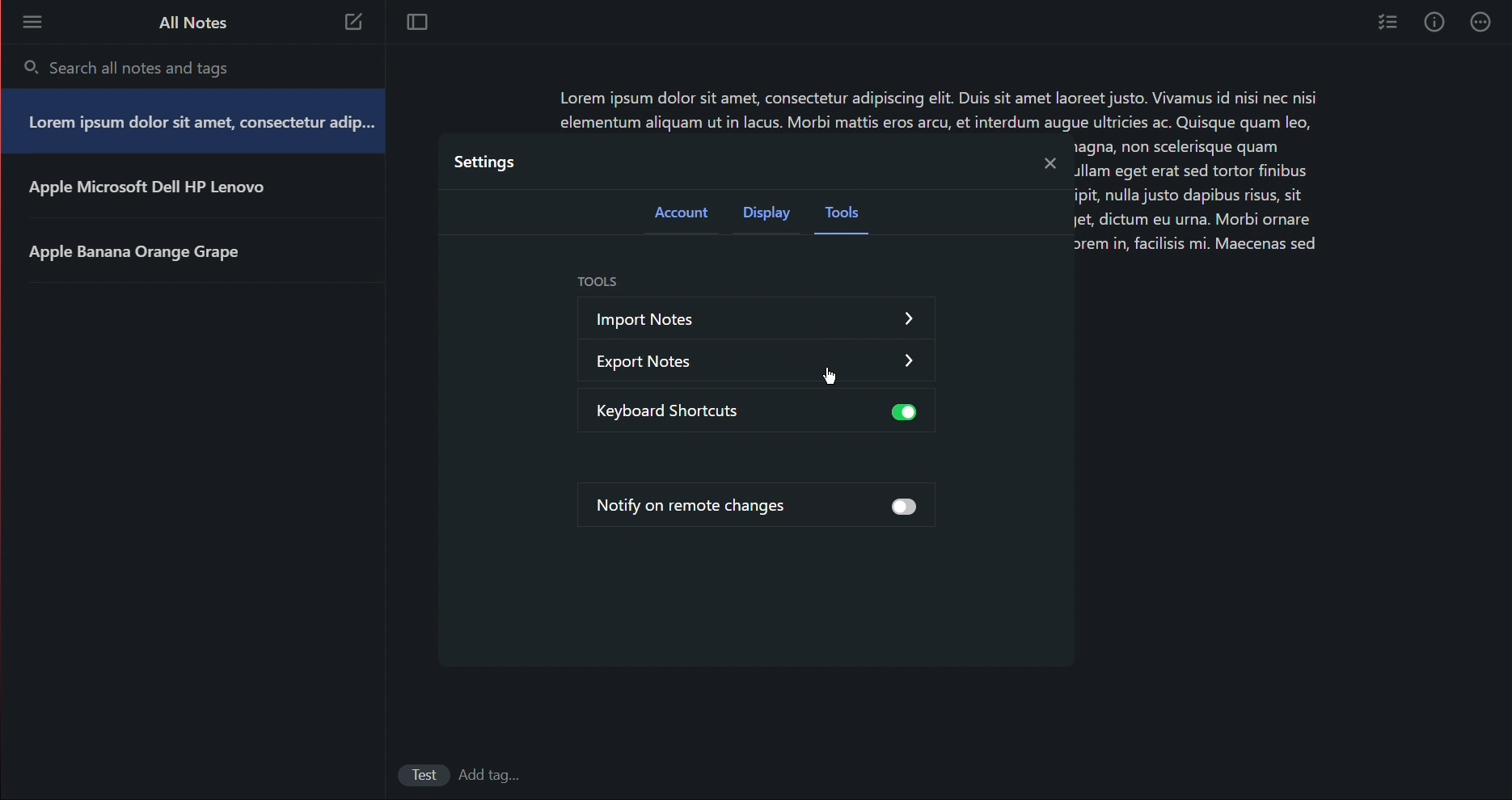 The height and width of the screenshot is (800, 1512). I want to click on New Note, so click(356, 23).